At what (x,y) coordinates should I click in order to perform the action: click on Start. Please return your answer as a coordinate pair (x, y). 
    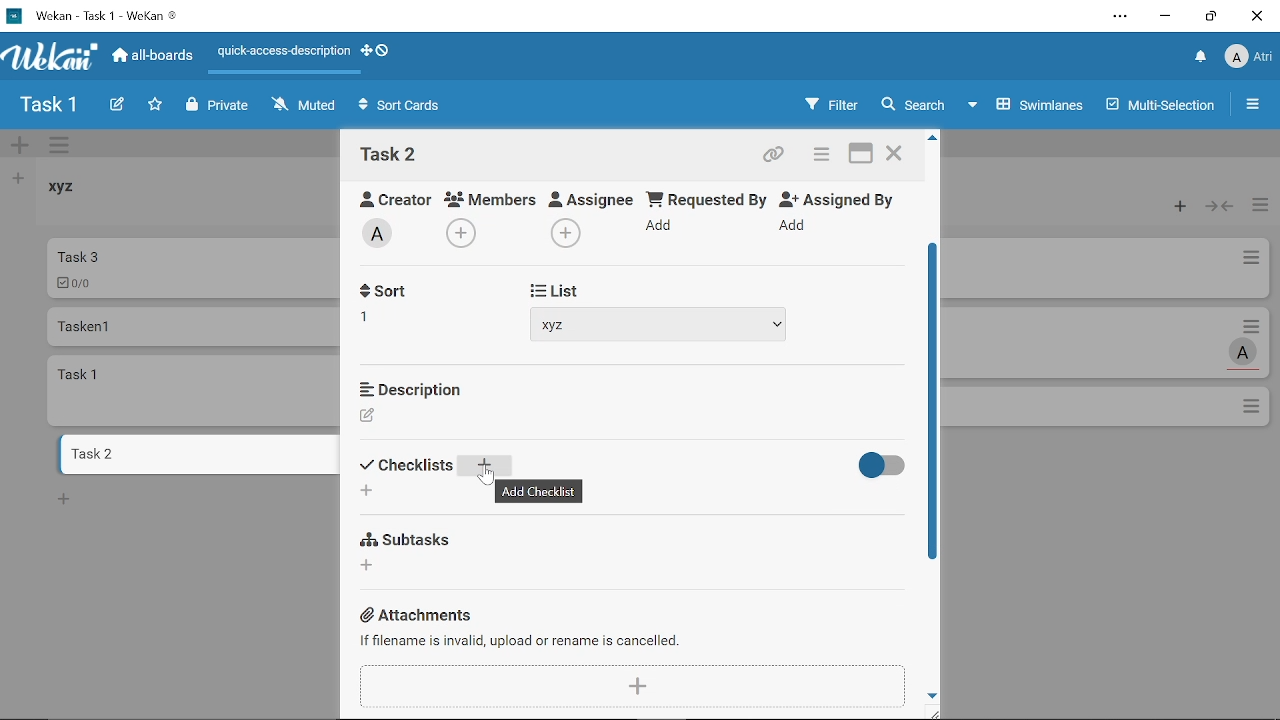
    Looking at the image, I should click on (549, 288).